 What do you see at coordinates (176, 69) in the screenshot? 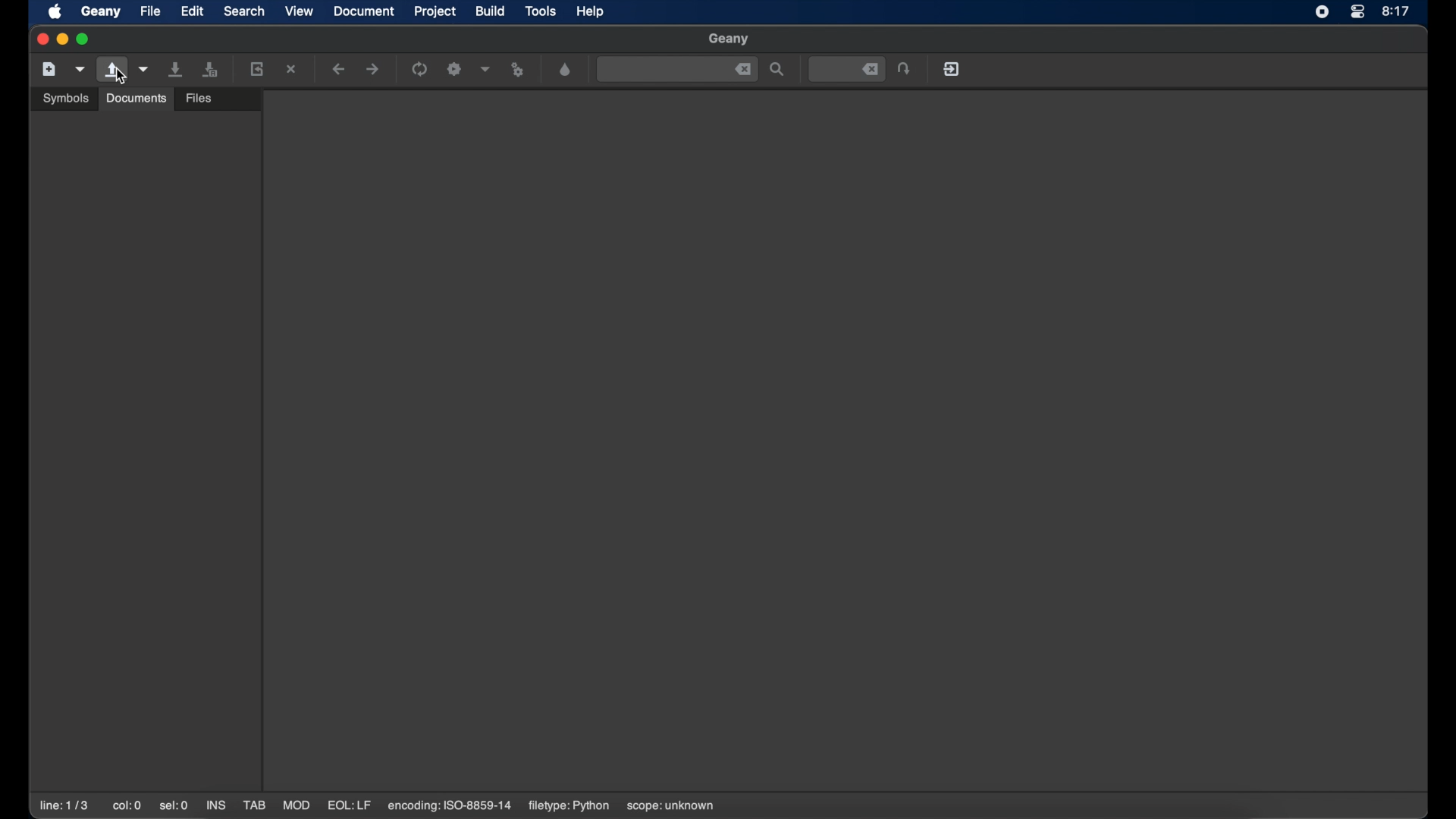
I see `save the current file` at bounding box center [176, 69].